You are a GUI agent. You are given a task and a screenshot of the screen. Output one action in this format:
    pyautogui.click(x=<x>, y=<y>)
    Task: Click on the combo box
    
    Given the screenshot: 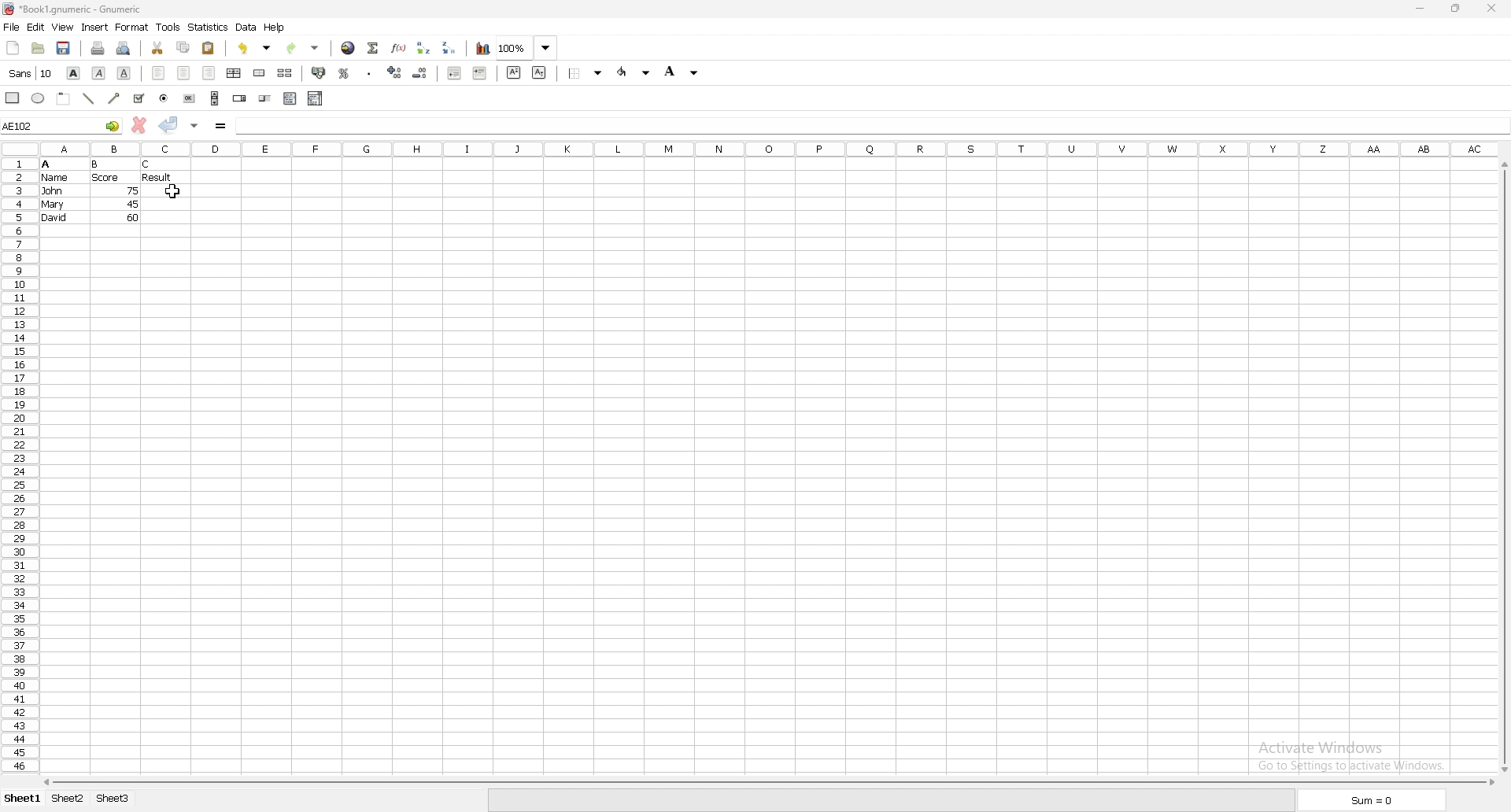 What is the action you would take?
    pyautogui.click(x=316, y=99)
    